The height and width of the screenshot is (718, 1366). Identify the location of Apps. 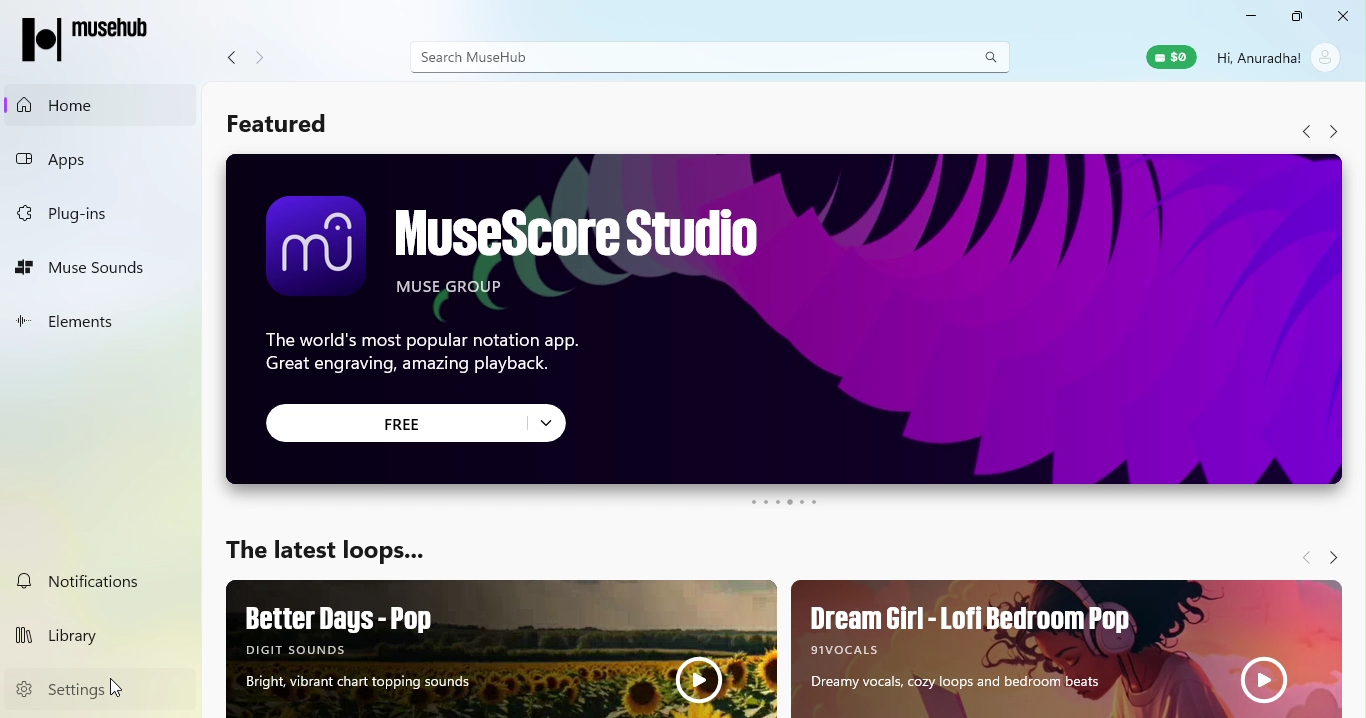
(86, 153).